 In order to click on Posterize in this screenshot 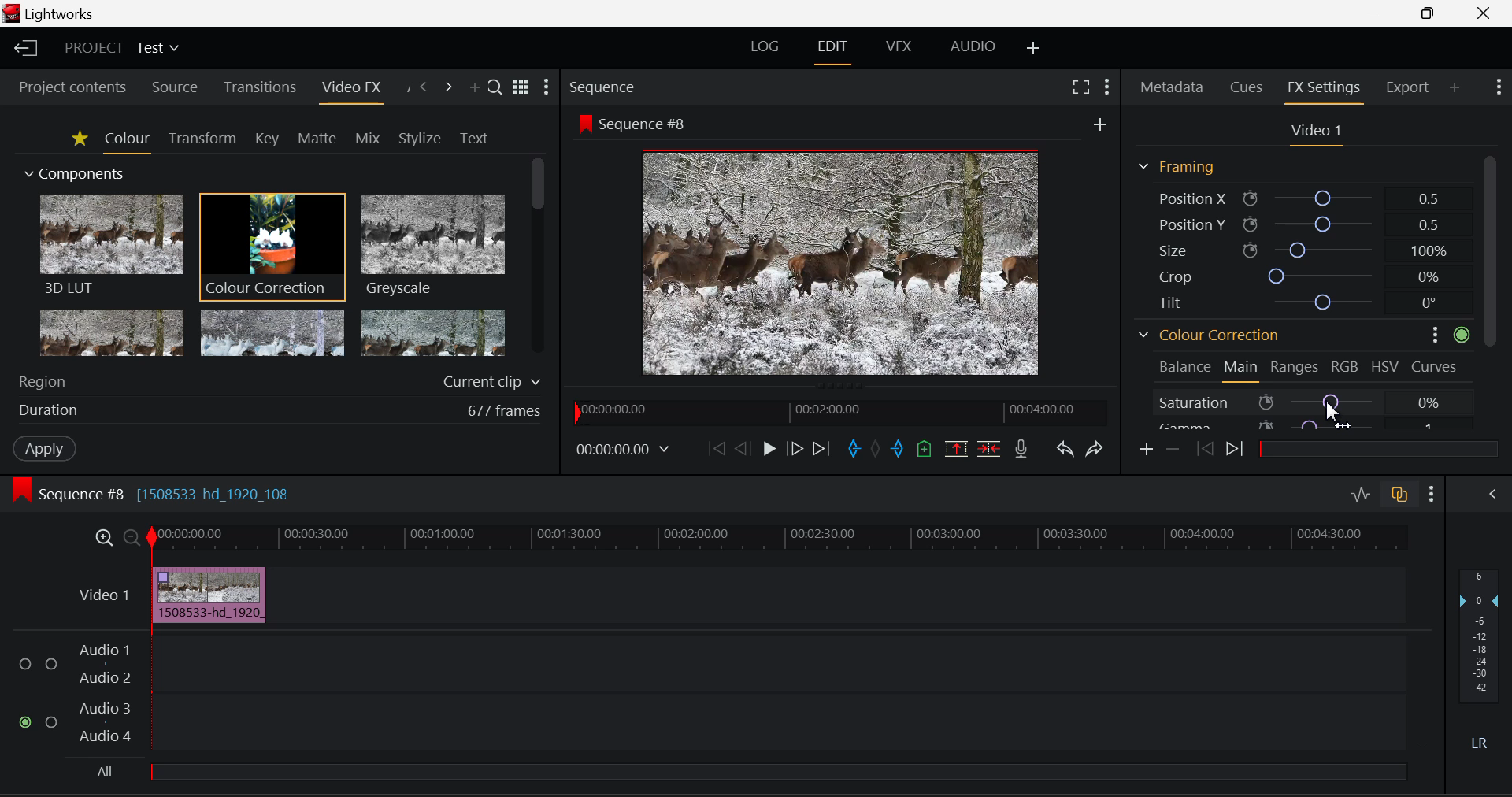, I will do `click(431, 332)`.